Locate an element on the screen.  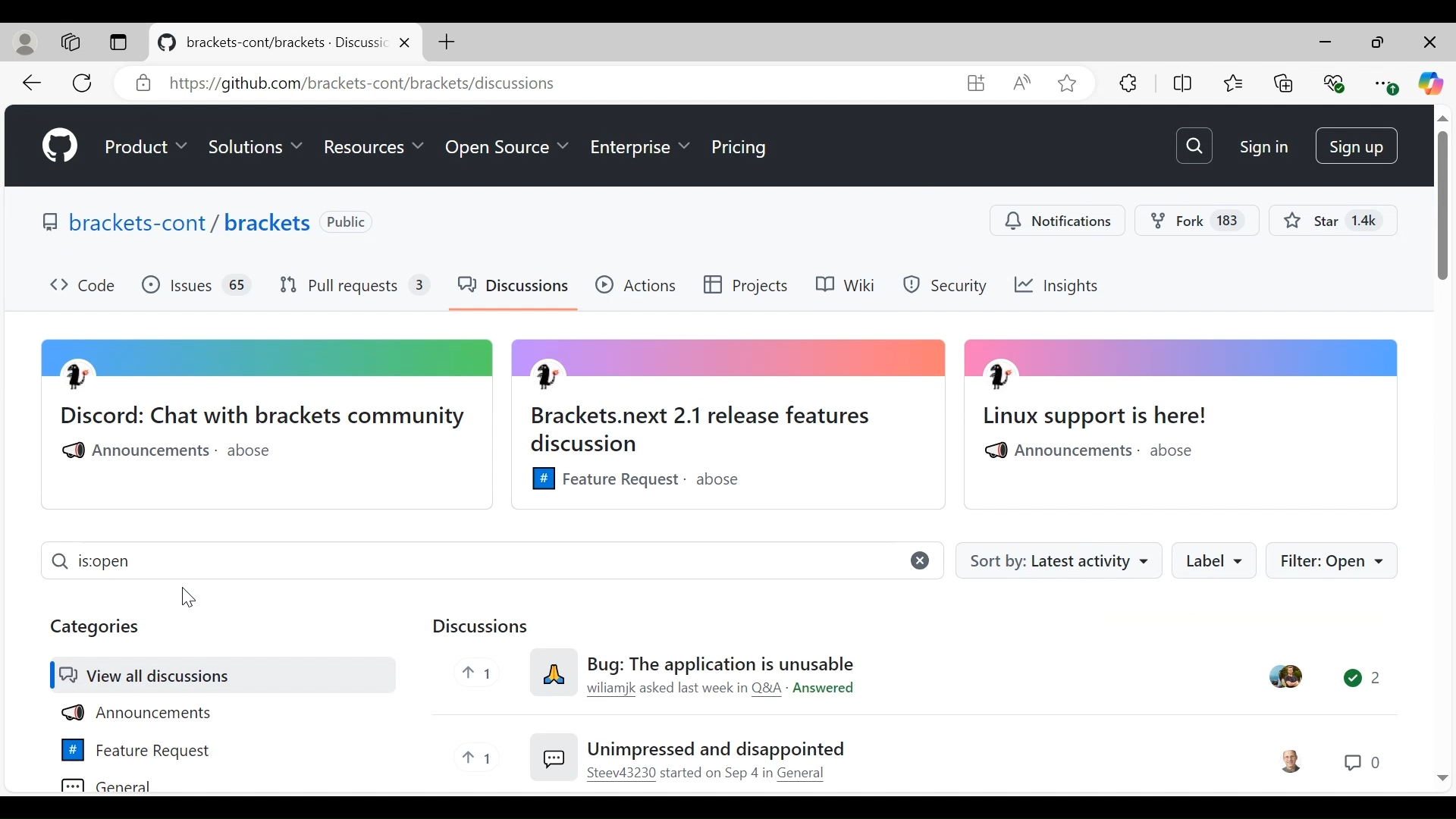
Vertical Scroll bar is located at coordinates (1442, 451).